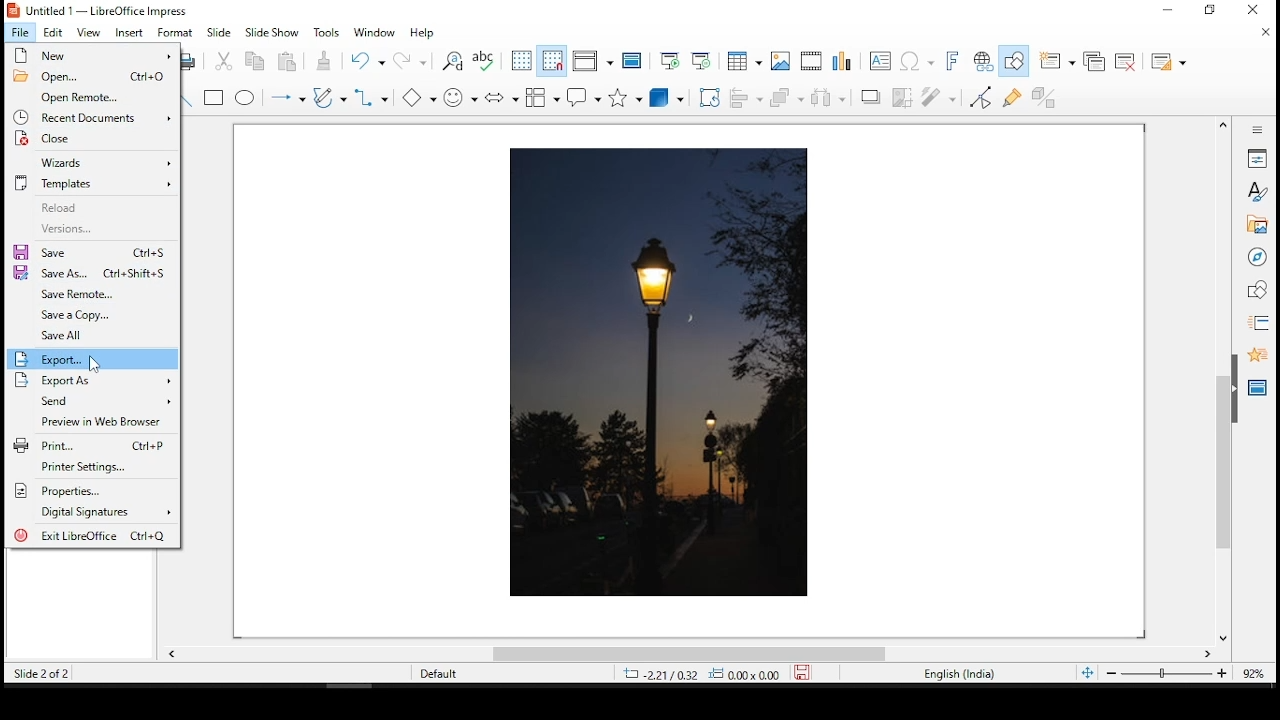  Describe the element at coordinates (94, 467) in the screenshot. I see `printer settings` at that location.